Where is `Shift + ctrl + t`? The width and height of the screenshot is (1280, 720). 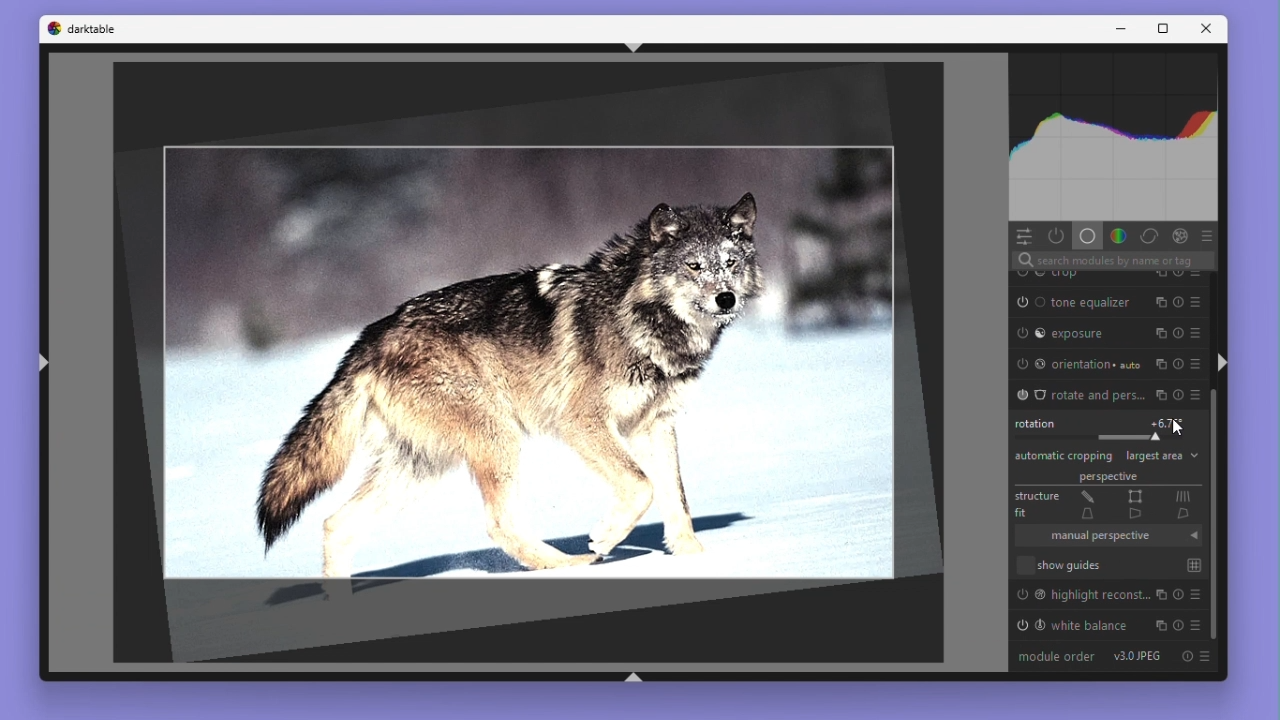 Shift + ctrl + t is located at coordinates (633, 47).